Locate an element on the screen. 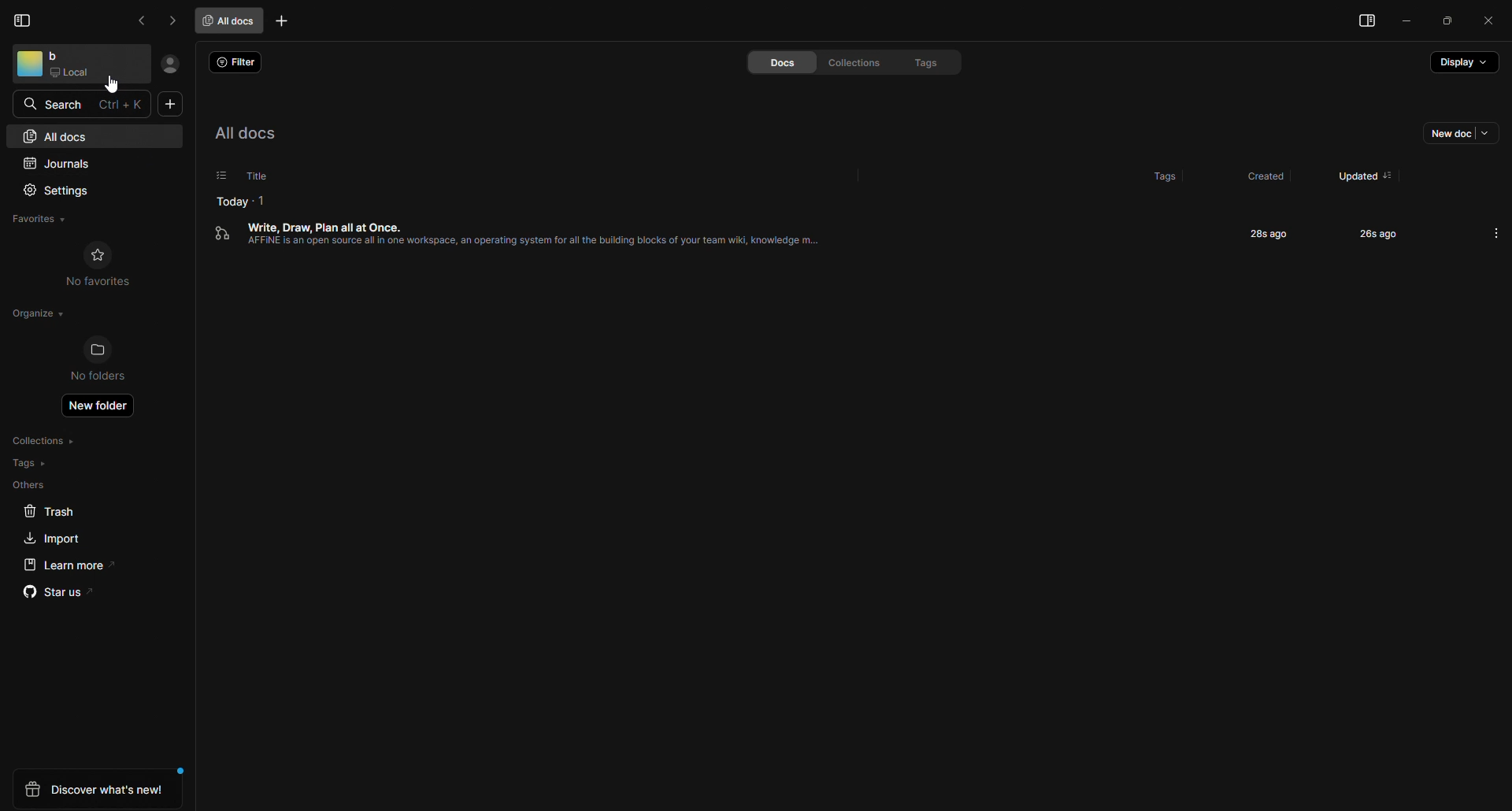 The width and height of the screenshot is (1512, 811). tags is located at coordinates (917, 61).